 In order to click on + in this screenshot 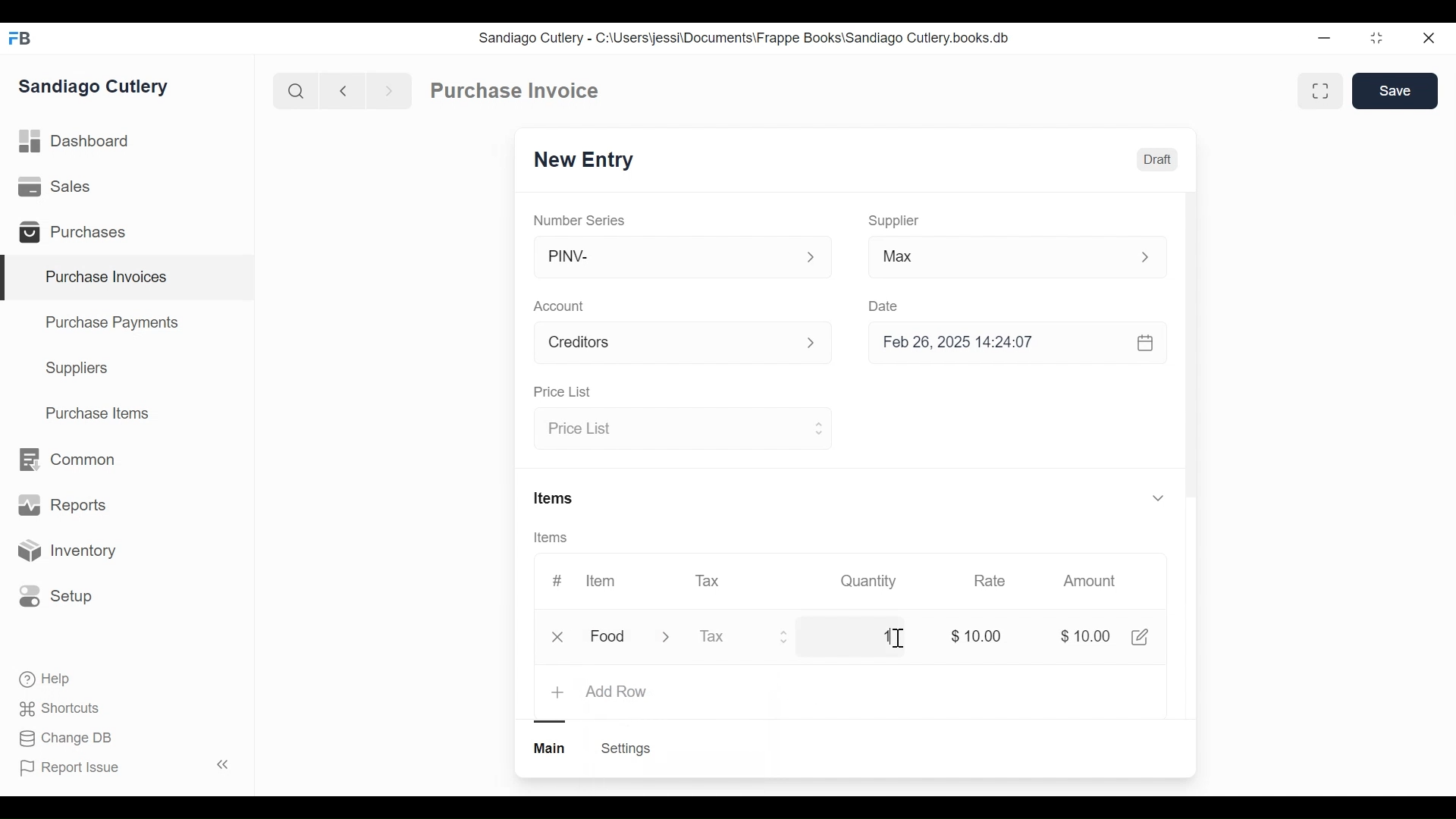, I will do `click(560, 692)`.